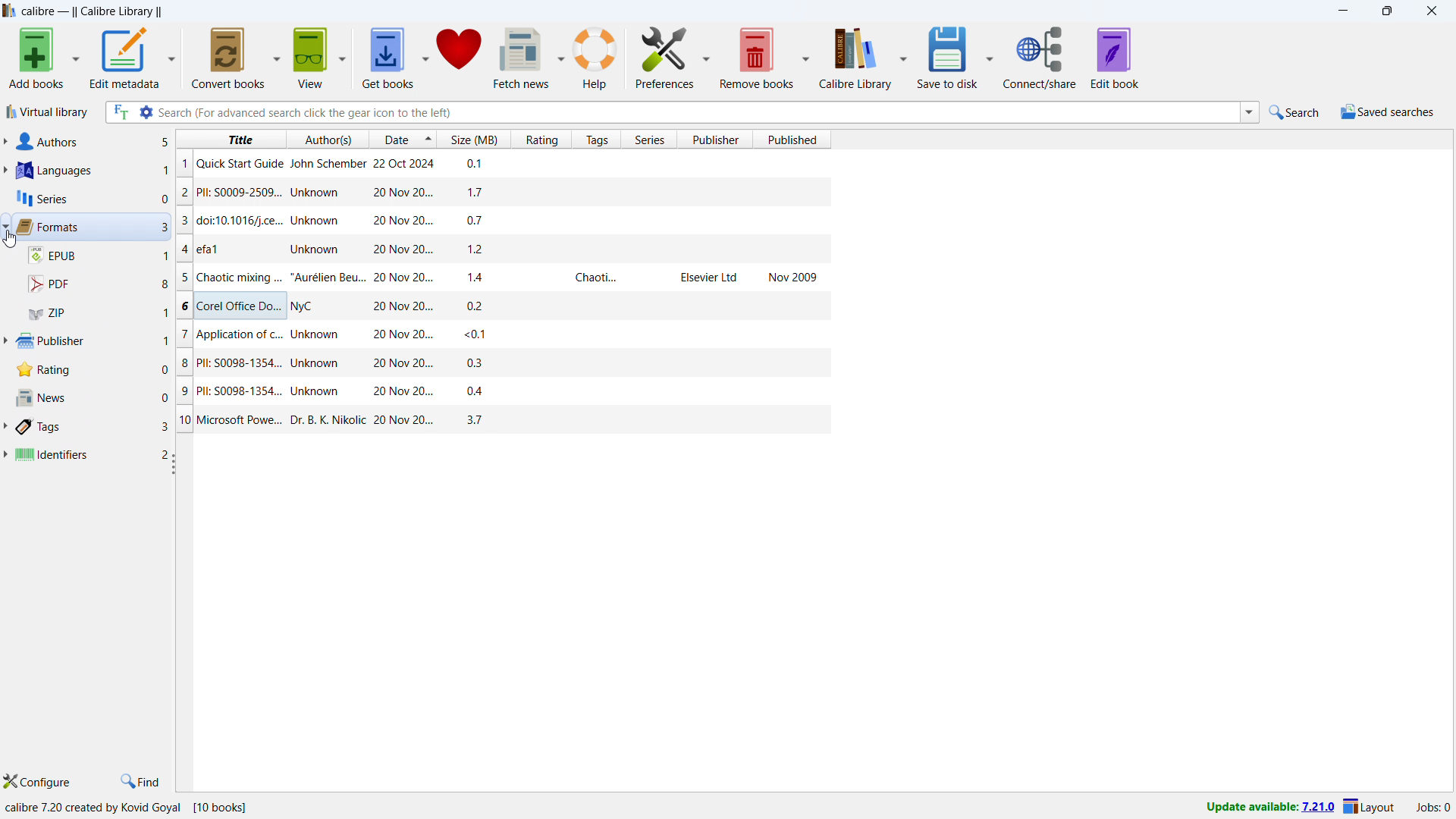 The height and width of the screenshot is (819, 1456). I want to click on one book entry, so click(497, 305).